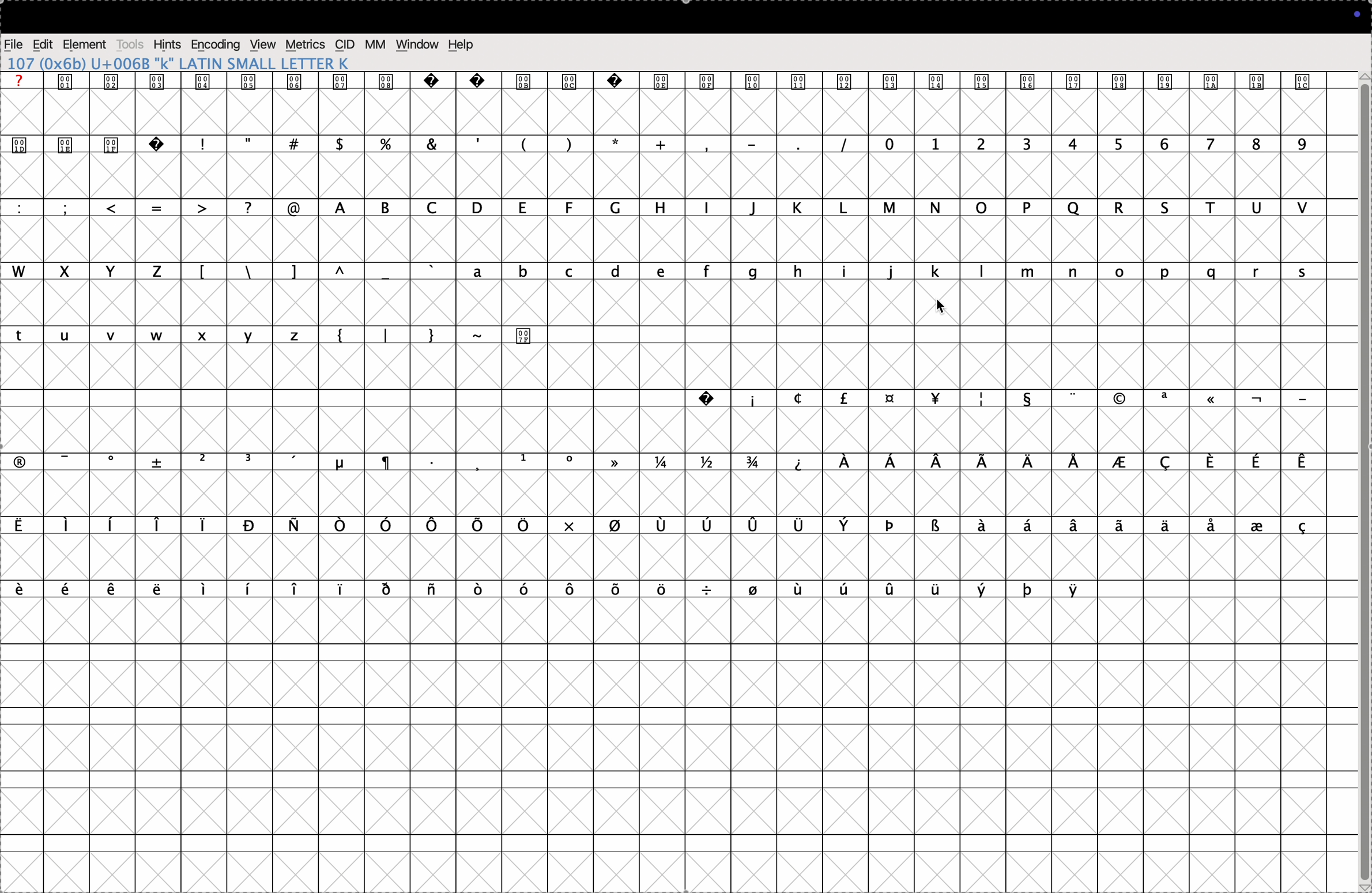 The image size is (1372, 893). What do you see at coordinates (937, 209) in the screenshot?
I see `n` at bounding box center [937, 209].